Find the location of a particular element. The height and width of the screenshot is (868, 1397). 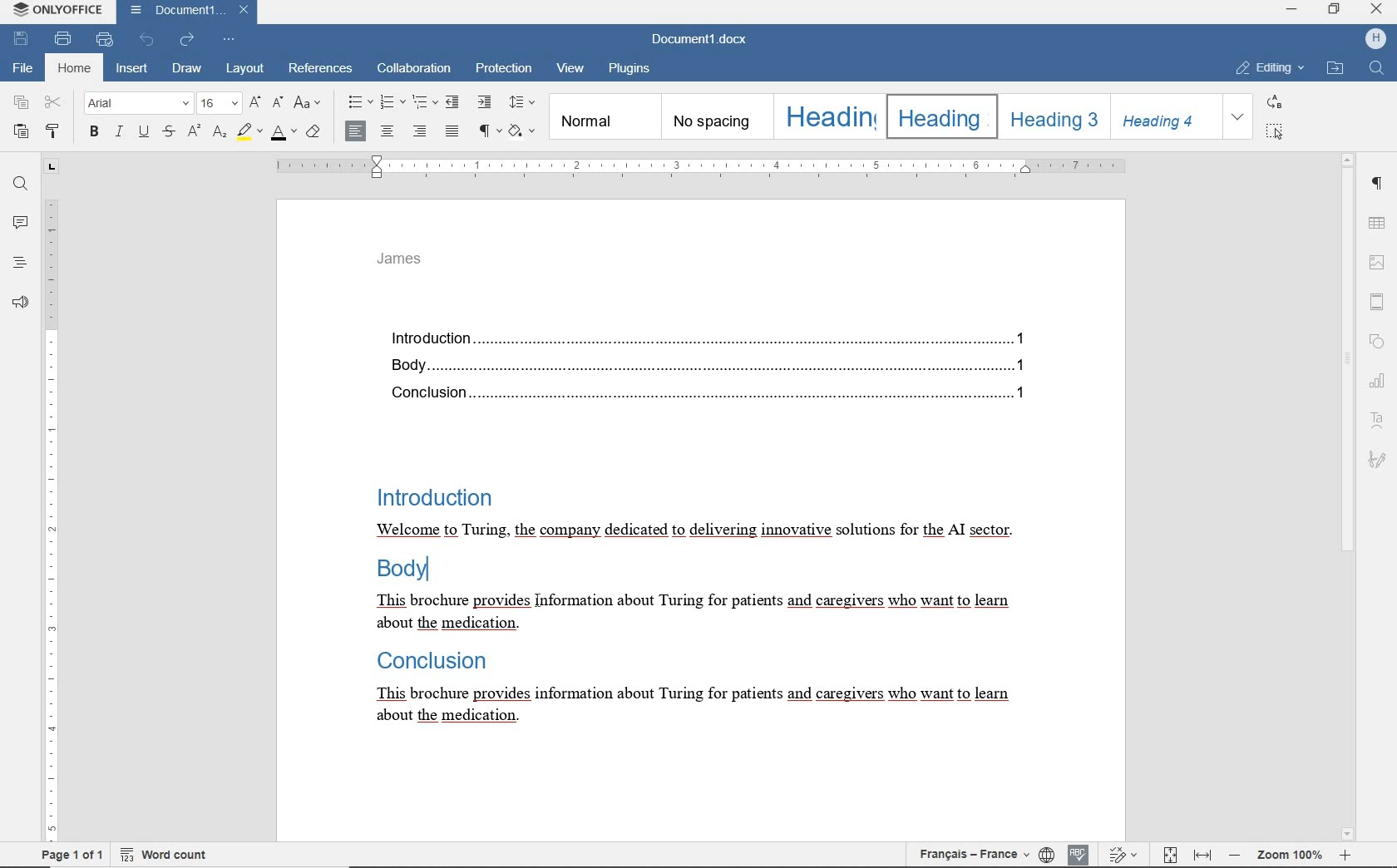

COPY STYLE is located at coordinates (54, 131).